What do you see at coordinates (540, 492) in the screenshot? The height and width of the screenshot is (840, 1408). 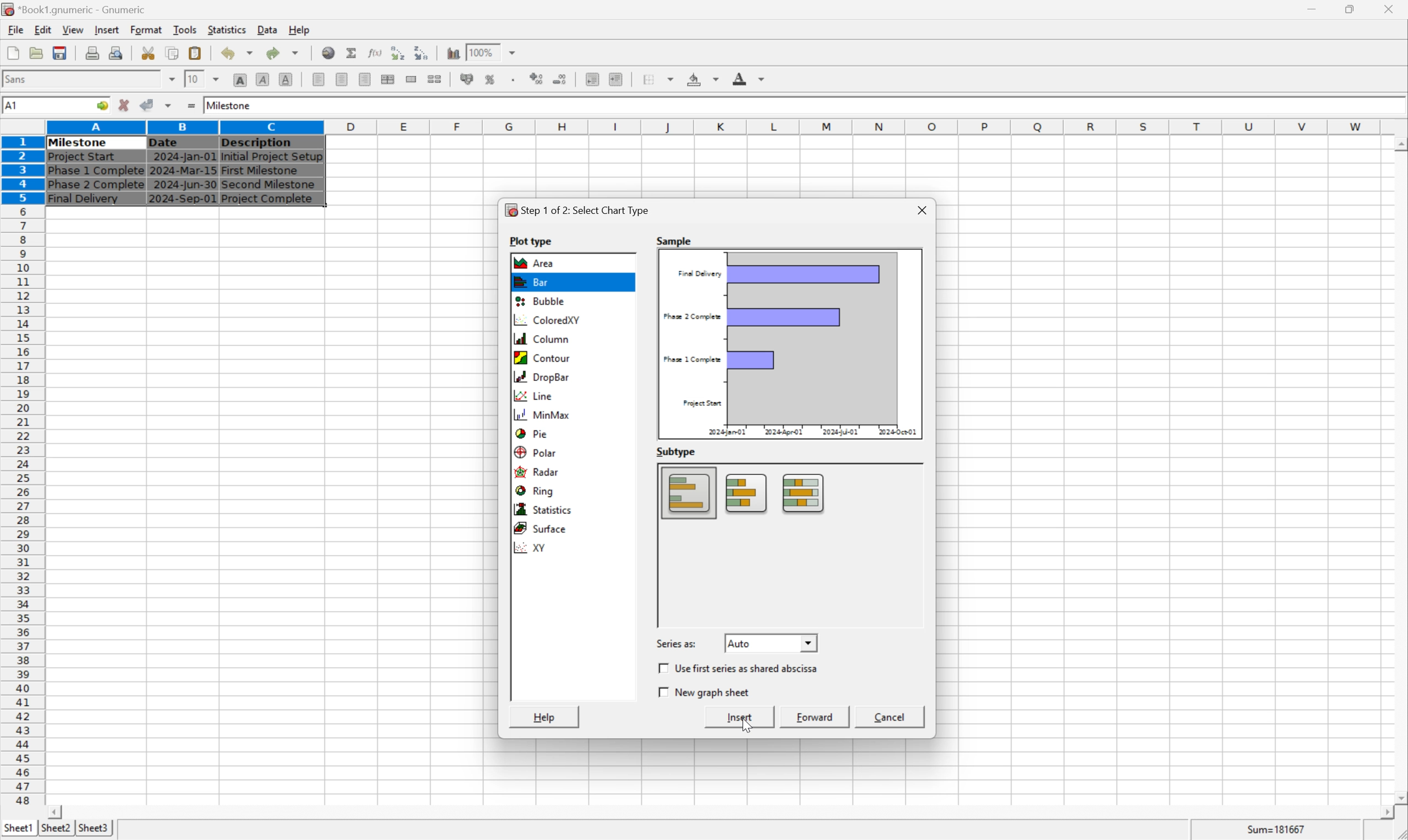 I see `ring` at bounding box center [540, 492].